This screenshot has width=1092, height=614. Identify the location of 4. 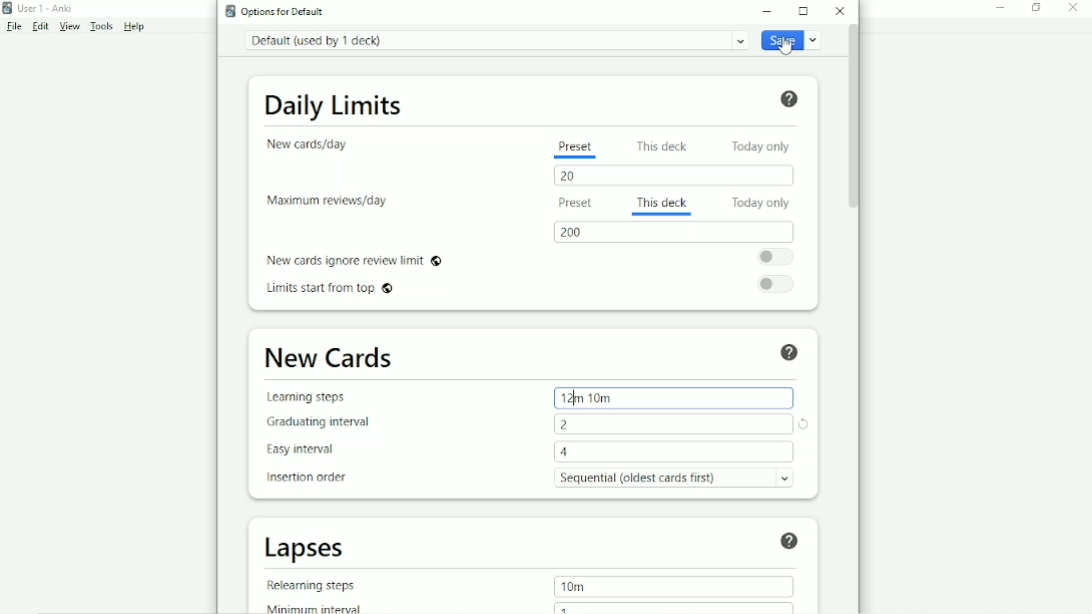
(564, 452).